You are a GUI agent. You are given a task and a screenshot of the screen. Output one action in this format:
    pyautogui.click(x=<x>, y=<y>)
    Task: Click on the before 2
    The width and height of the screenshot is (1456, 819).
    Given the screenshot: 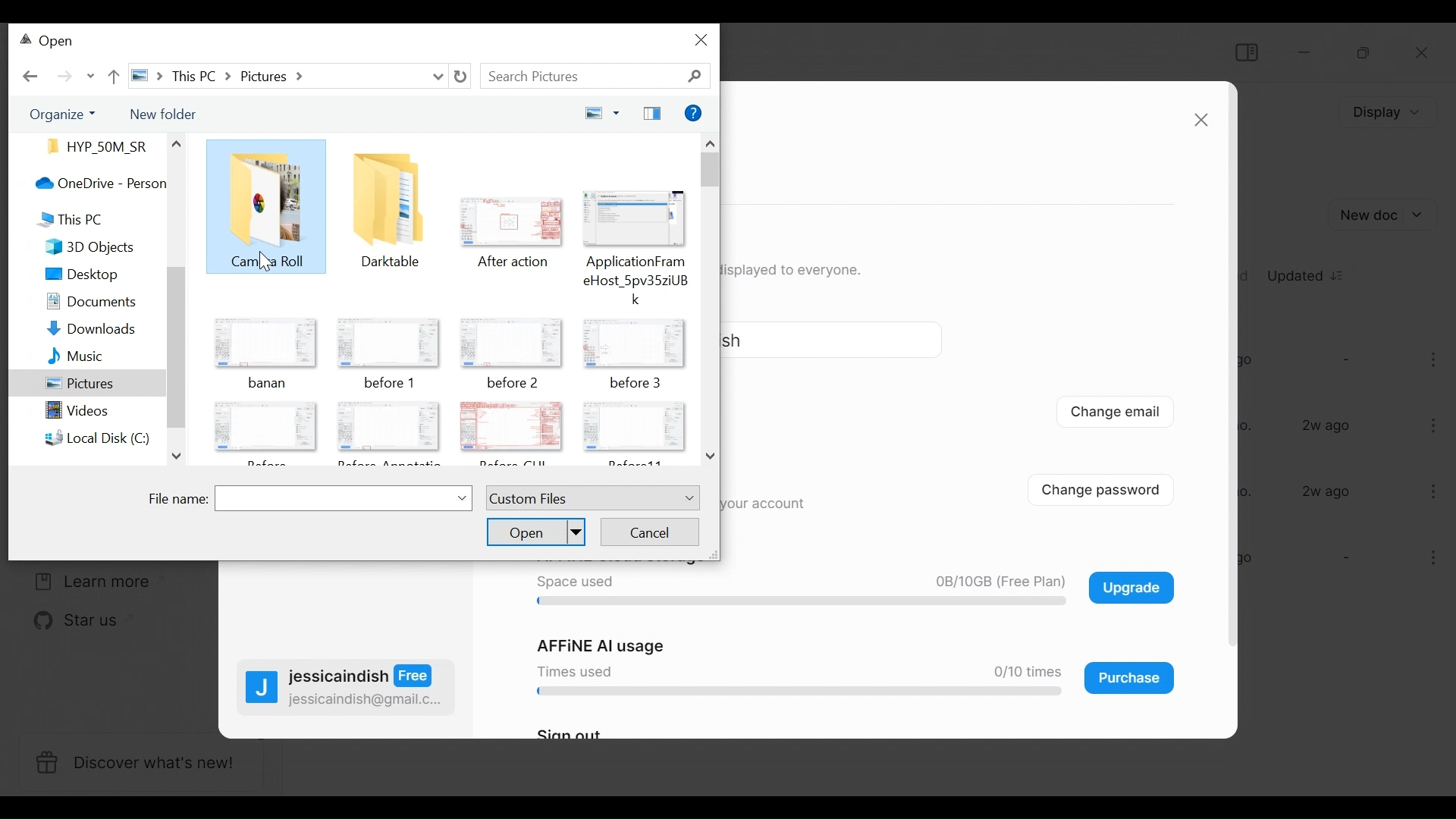 What is the action you would take?
    pyautogui.click(x=514, y=383)
    